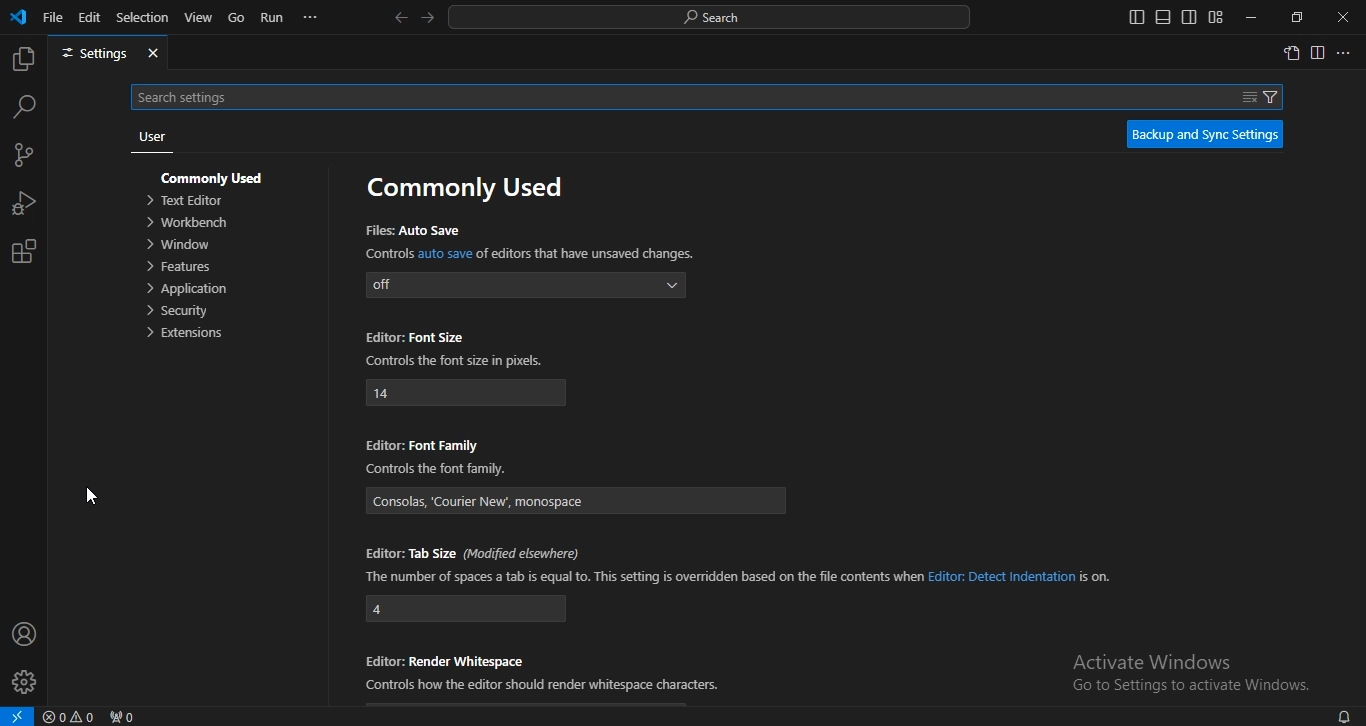  What do you see at coordinates (1262, 95) in the screenshot?
I see `filter` at bounding box center [1262, 95].